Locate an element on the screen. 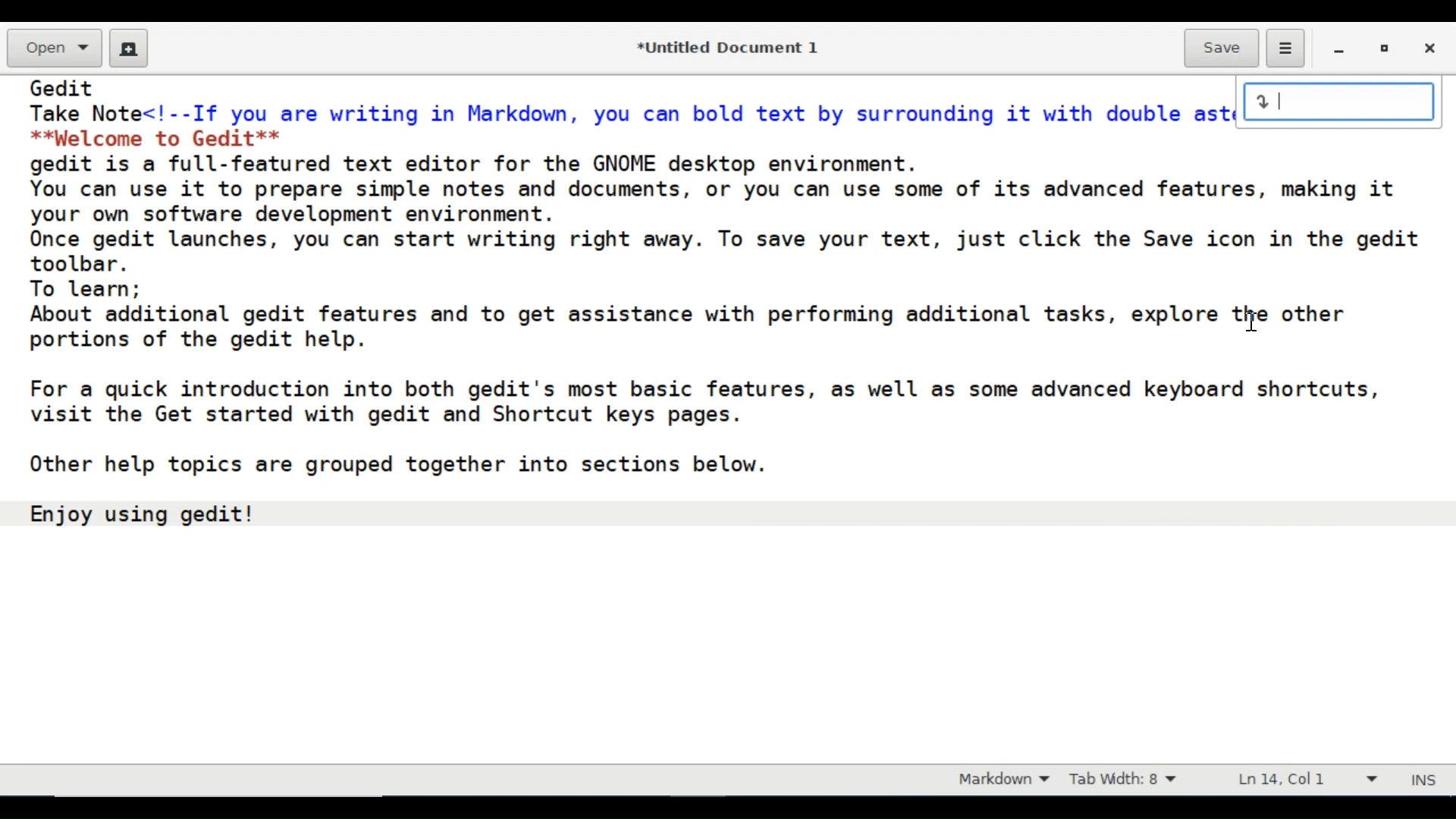 This screenshot has height=819, width=1456. INS is located at coordinates (1426, 781).